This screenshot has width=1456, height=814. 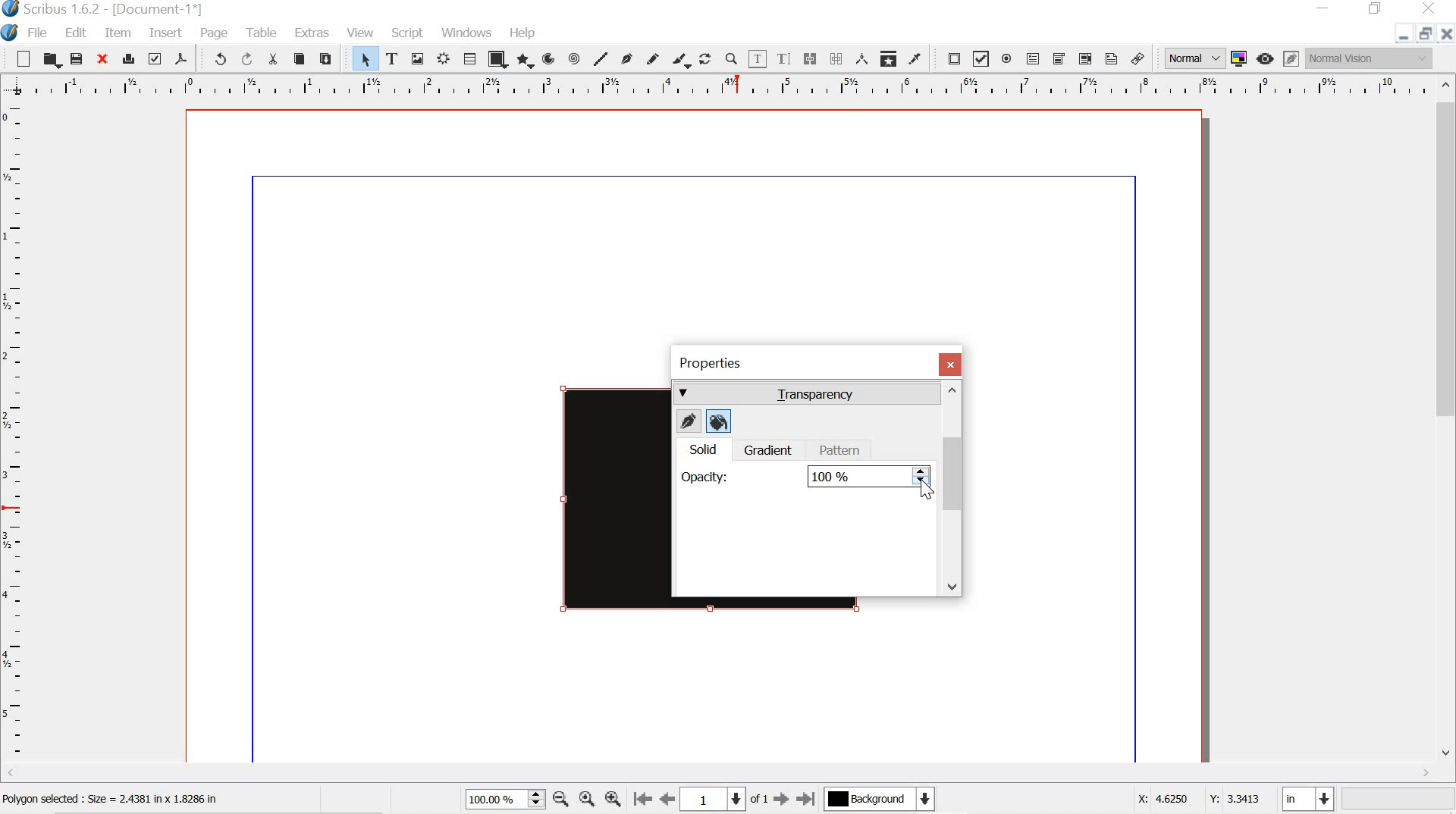 I want to click on rotate item, so click(x=704, y=60).